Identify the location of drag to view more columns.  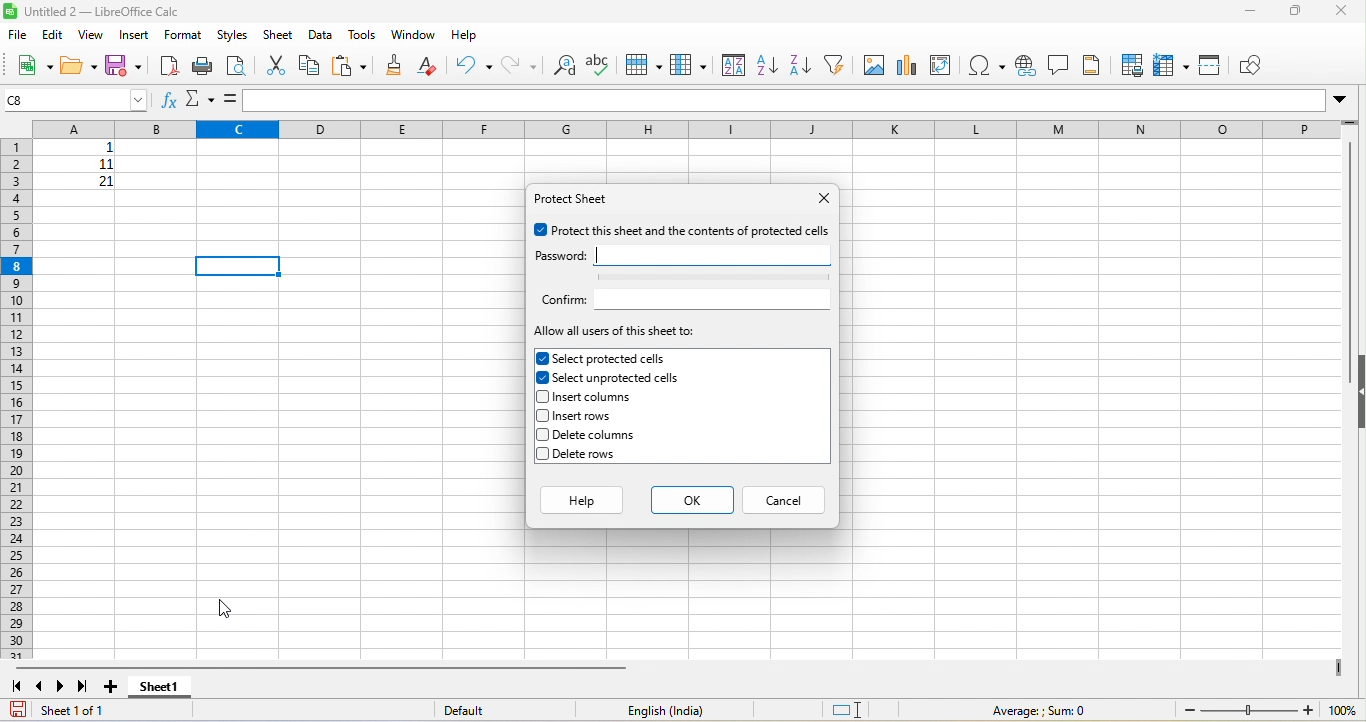
(1335, 666).